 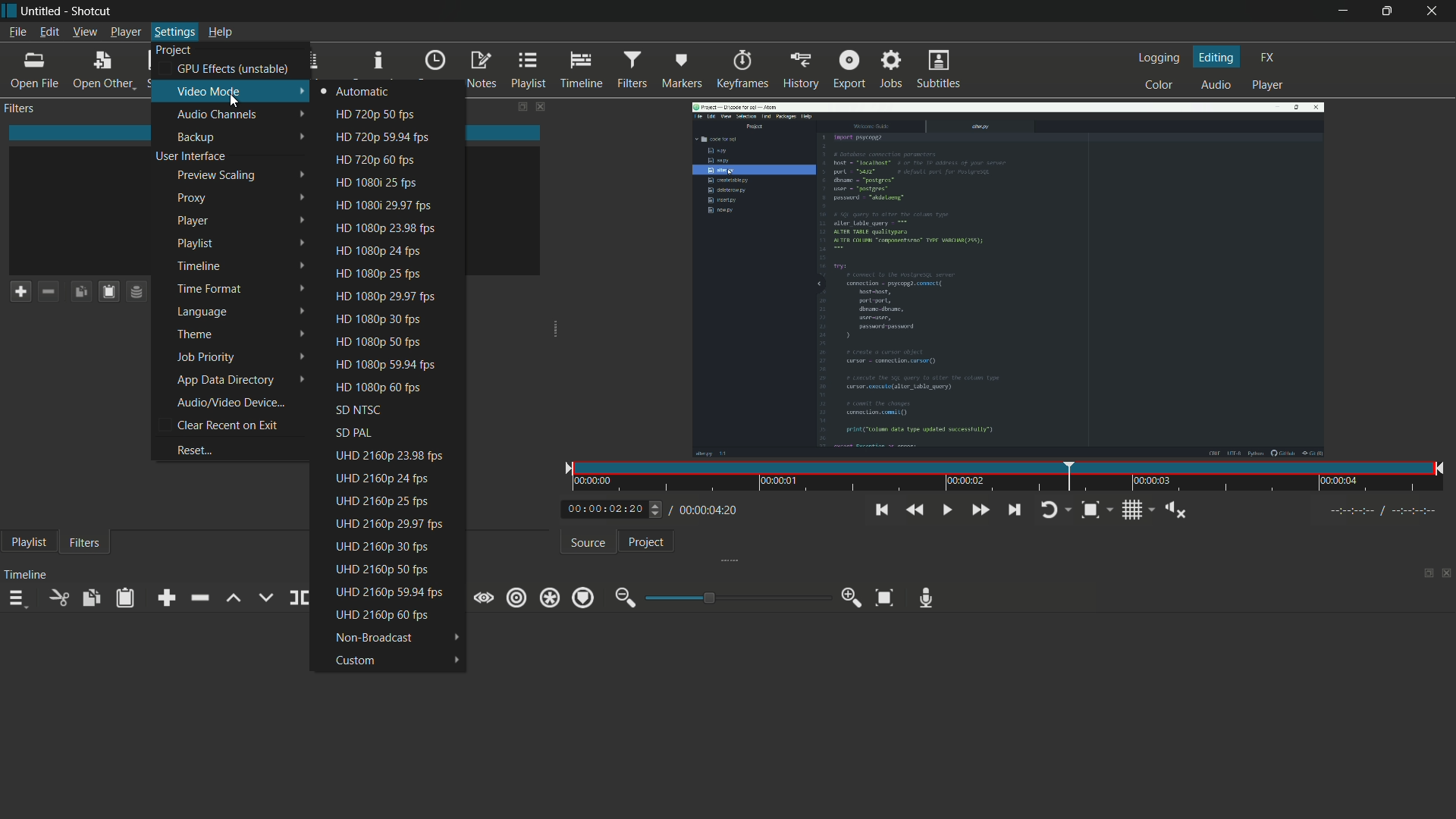 I want to click on , so click(x=657, y=510).